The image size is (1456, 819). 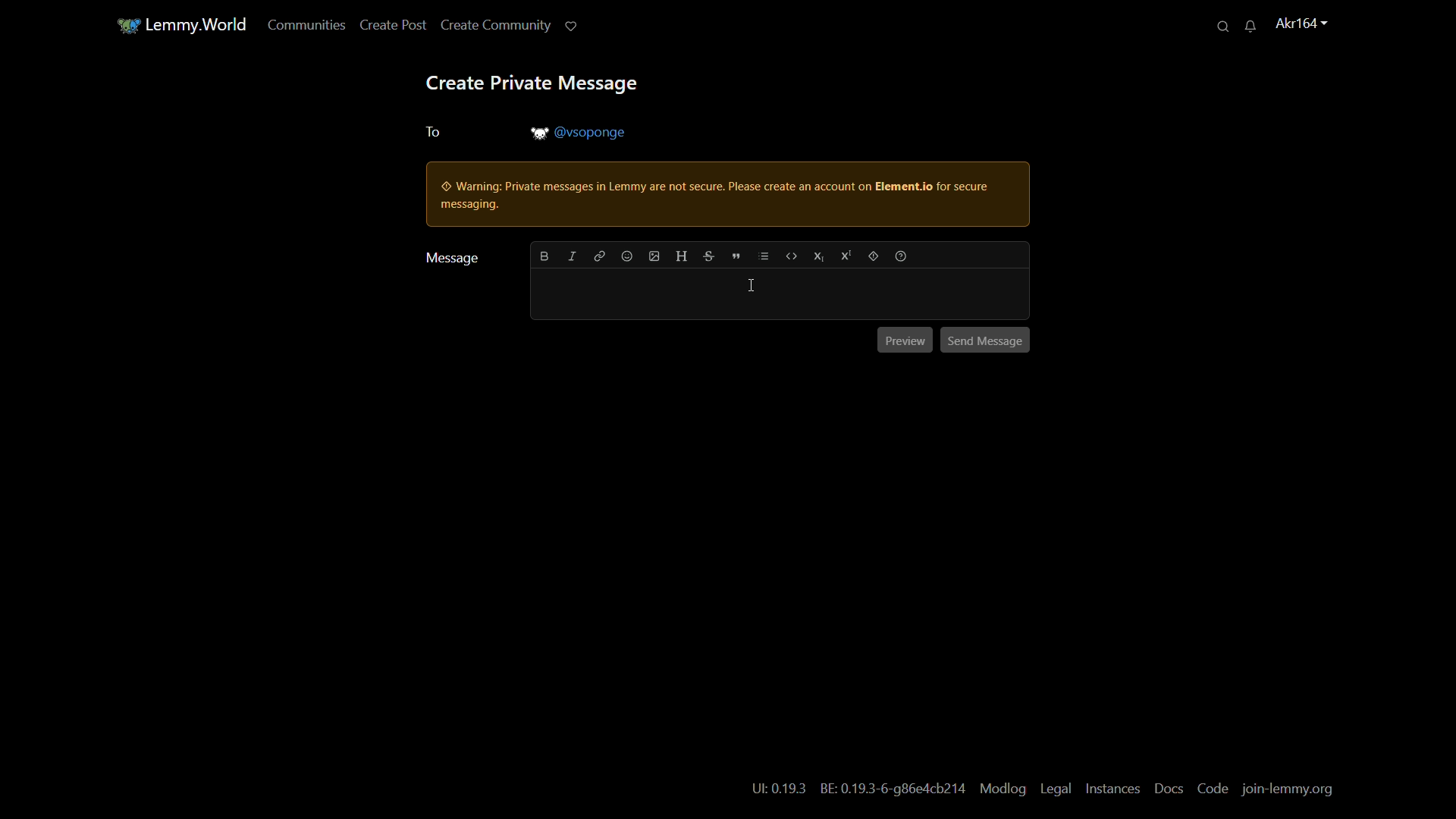 I want to click on create community, so click(x=488, y=27).